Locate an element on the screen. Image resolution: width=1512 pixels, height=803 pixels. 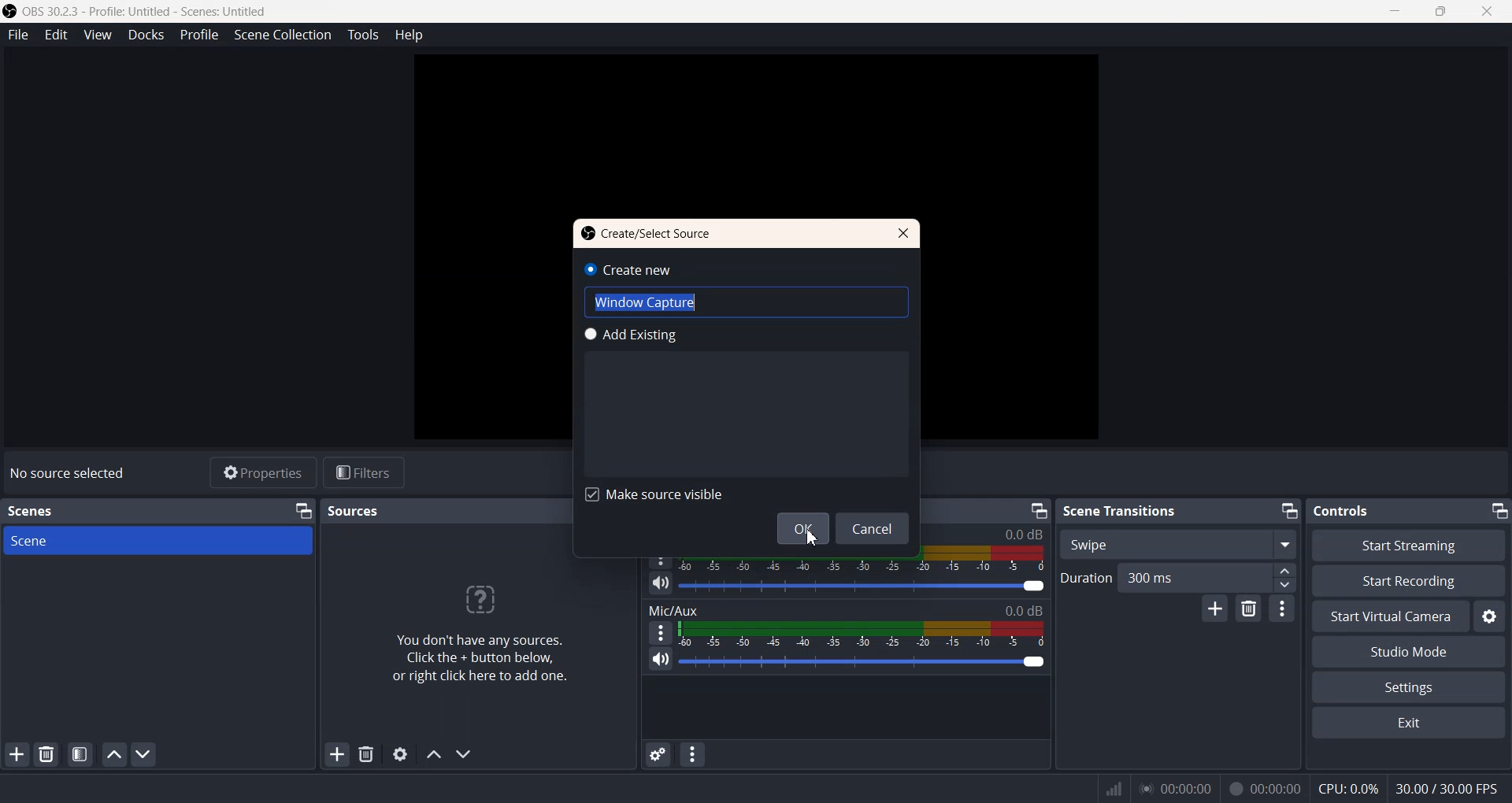
Help is located at coordinates (411, 35).